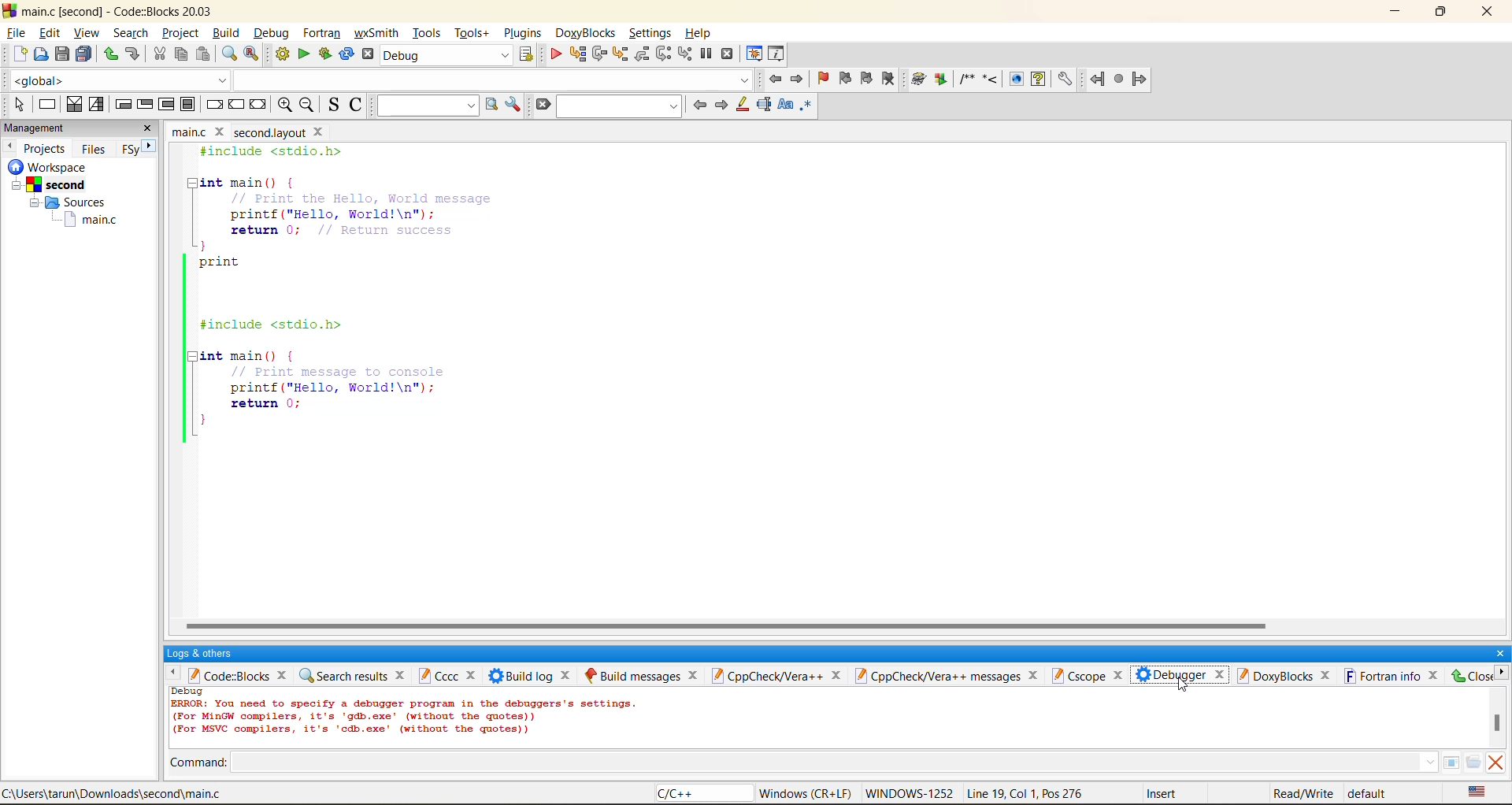 The height and width of the screenshot is (805, 1512). I want to click on text language, so click(1477, 792).